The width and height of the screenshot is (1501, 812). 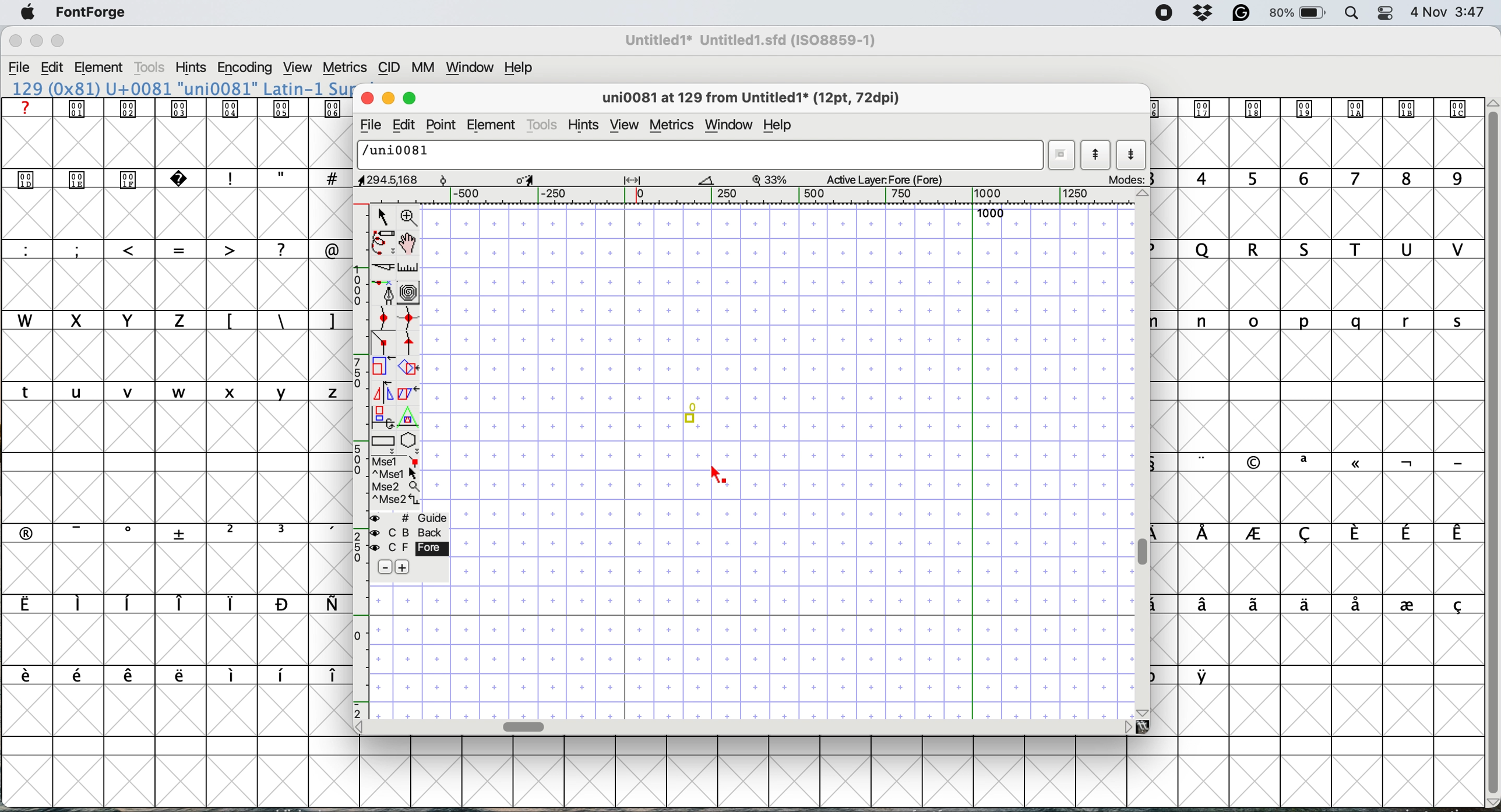 I want to click on maximise, so click(x=409, y=98).